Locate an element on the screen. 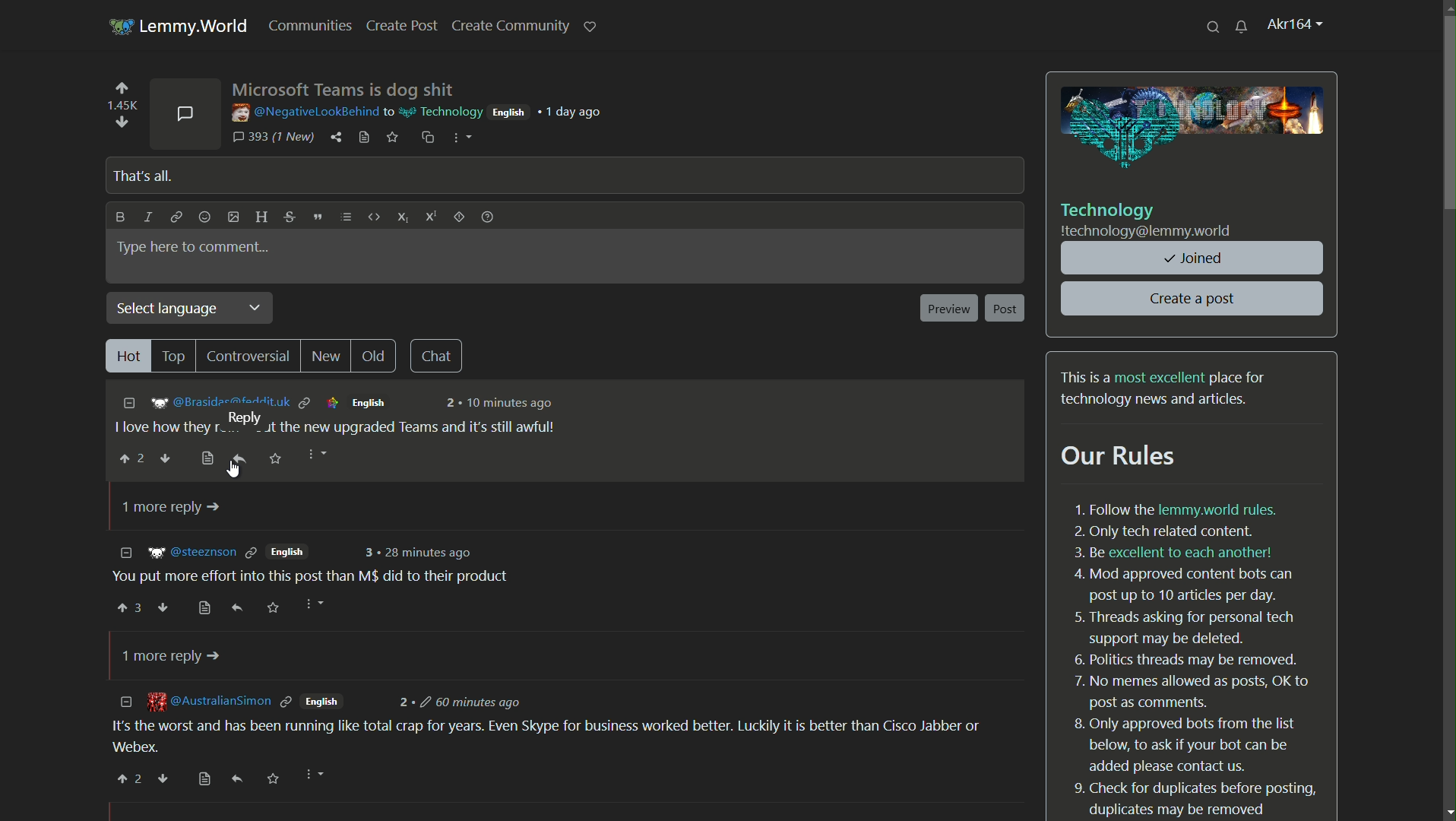 Image resolution: width=1456 pixels, height=821 pixels. search is located at coordinates (1214, 26).